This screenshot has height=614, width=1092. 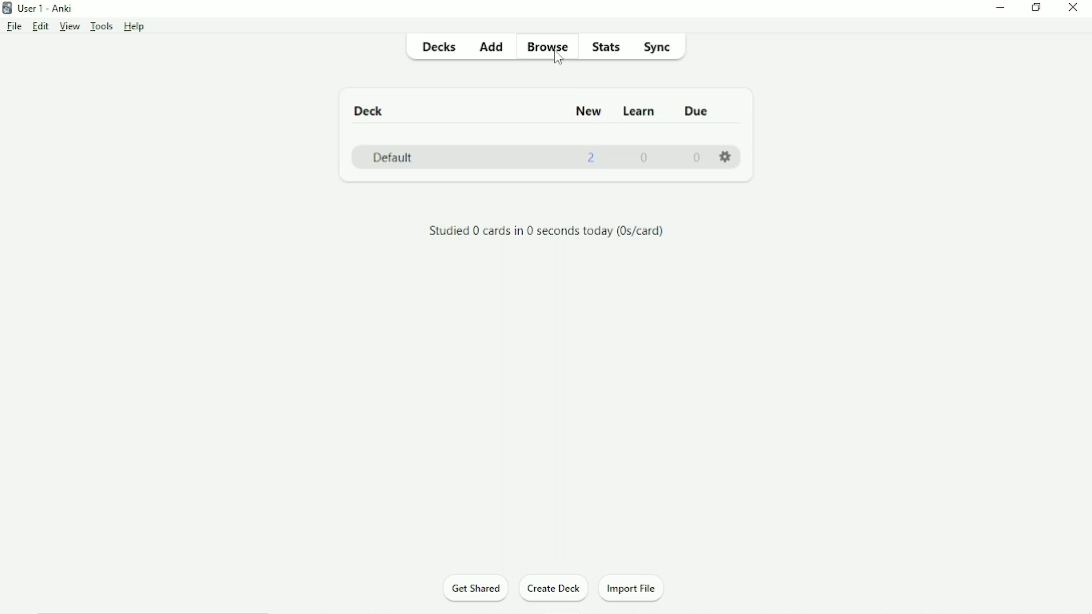 What do you see at coordinates (69, 26) in the screenshot?
I see `View` at bounding box center [69, 26].